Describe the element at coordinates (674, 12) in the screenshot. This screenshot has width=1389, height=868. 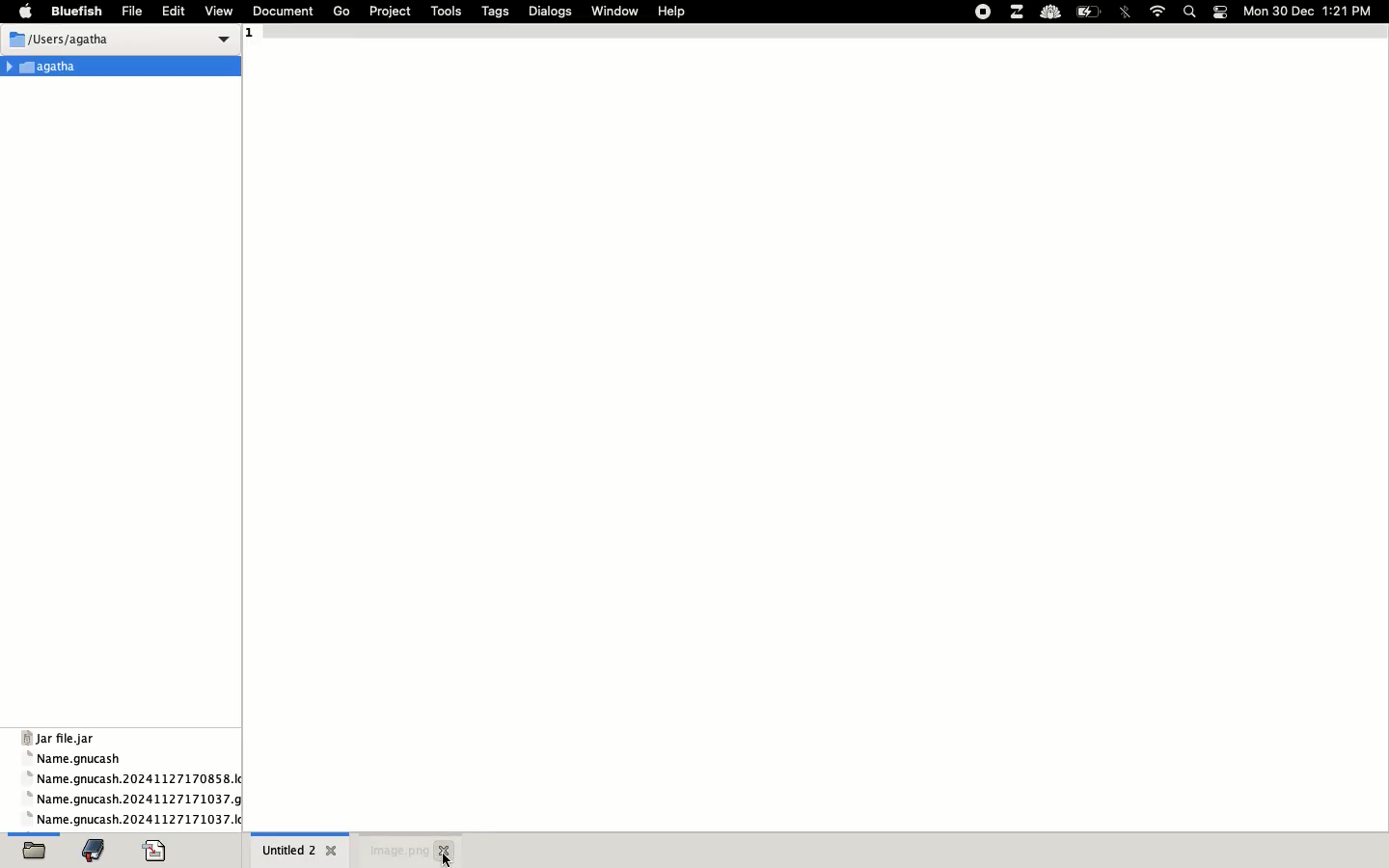
I see `help` at that location.